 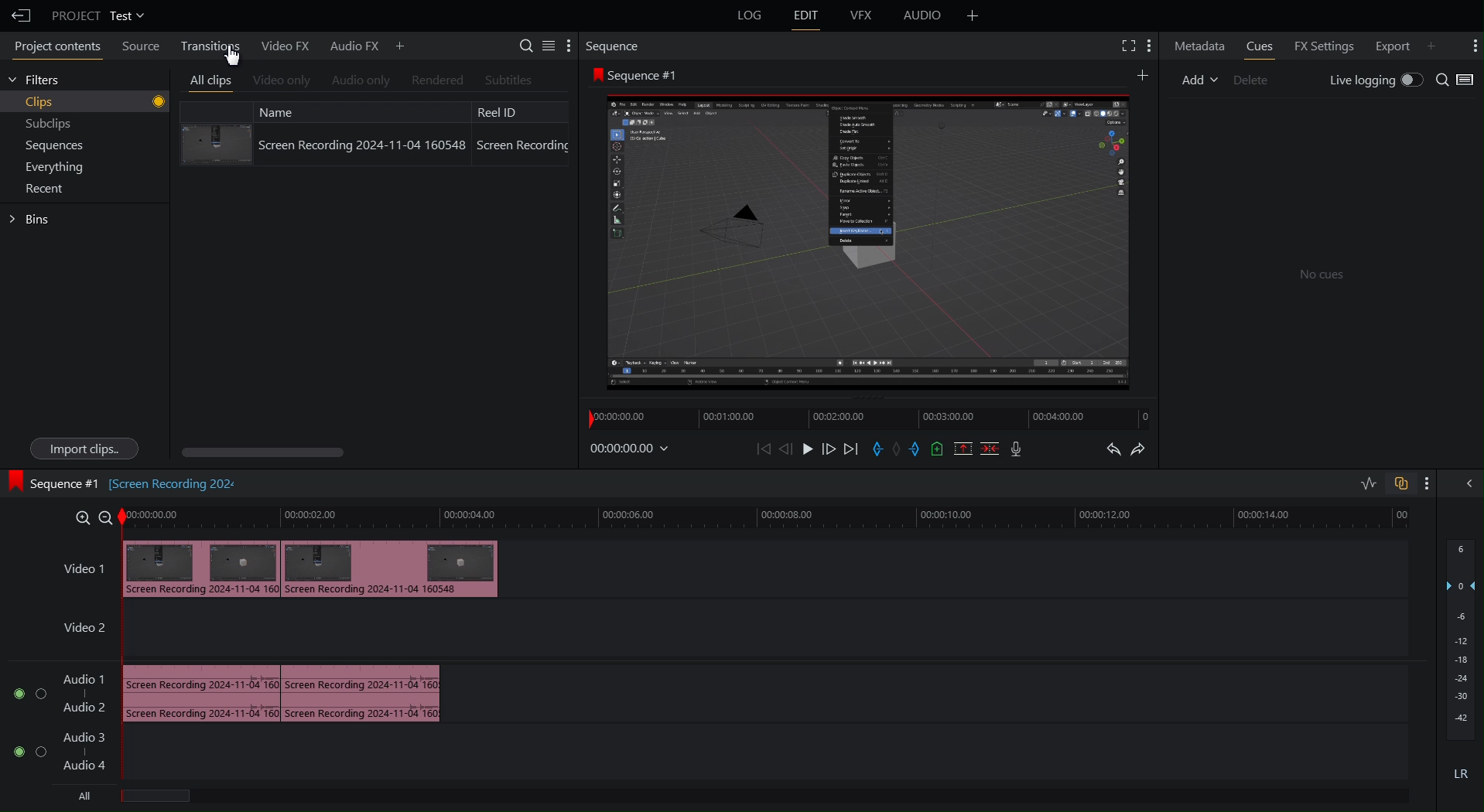 What do you see at coordinates (14, 698) in the screenshot?
I see `toggle` at bounding box center [14, 698].